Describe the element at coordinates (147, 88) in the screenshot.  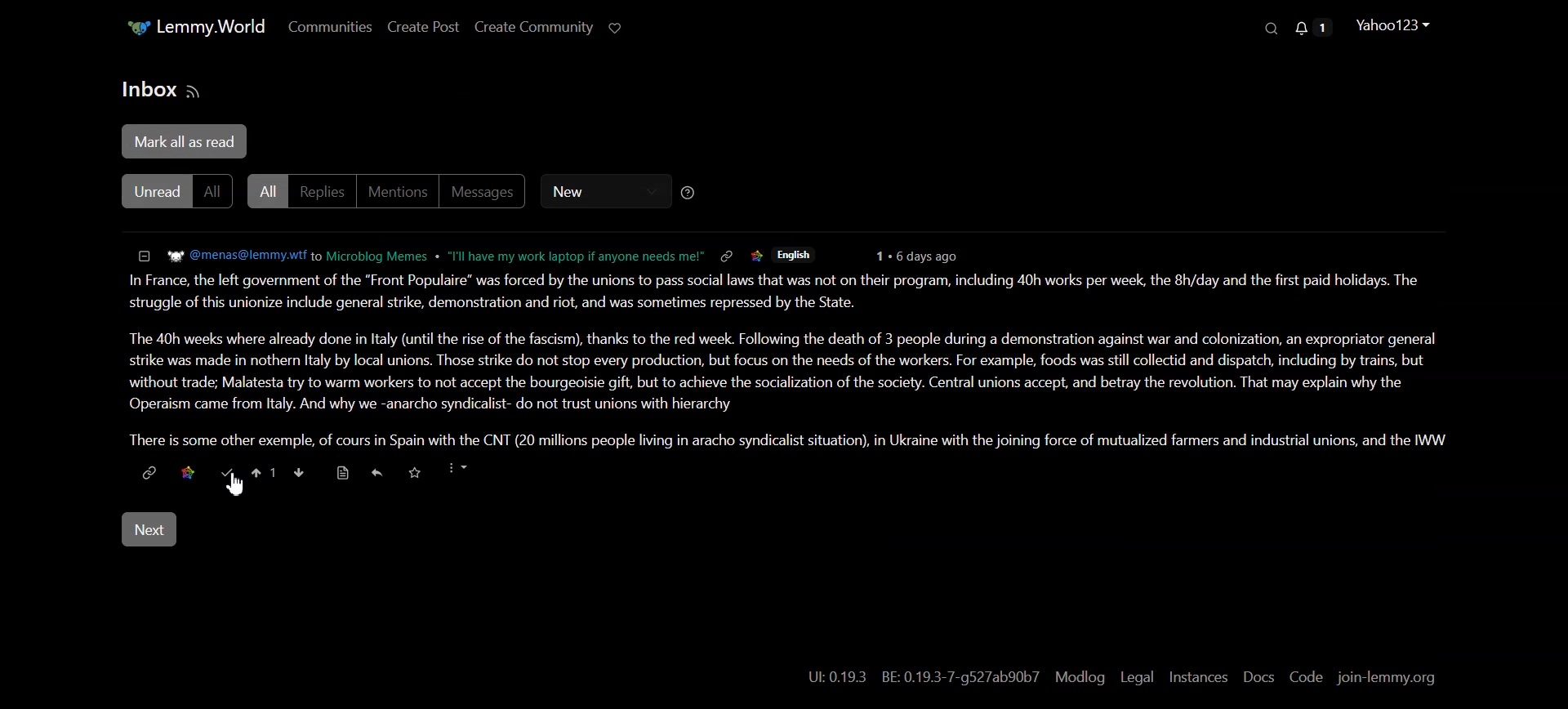
I see `Text` at that location.